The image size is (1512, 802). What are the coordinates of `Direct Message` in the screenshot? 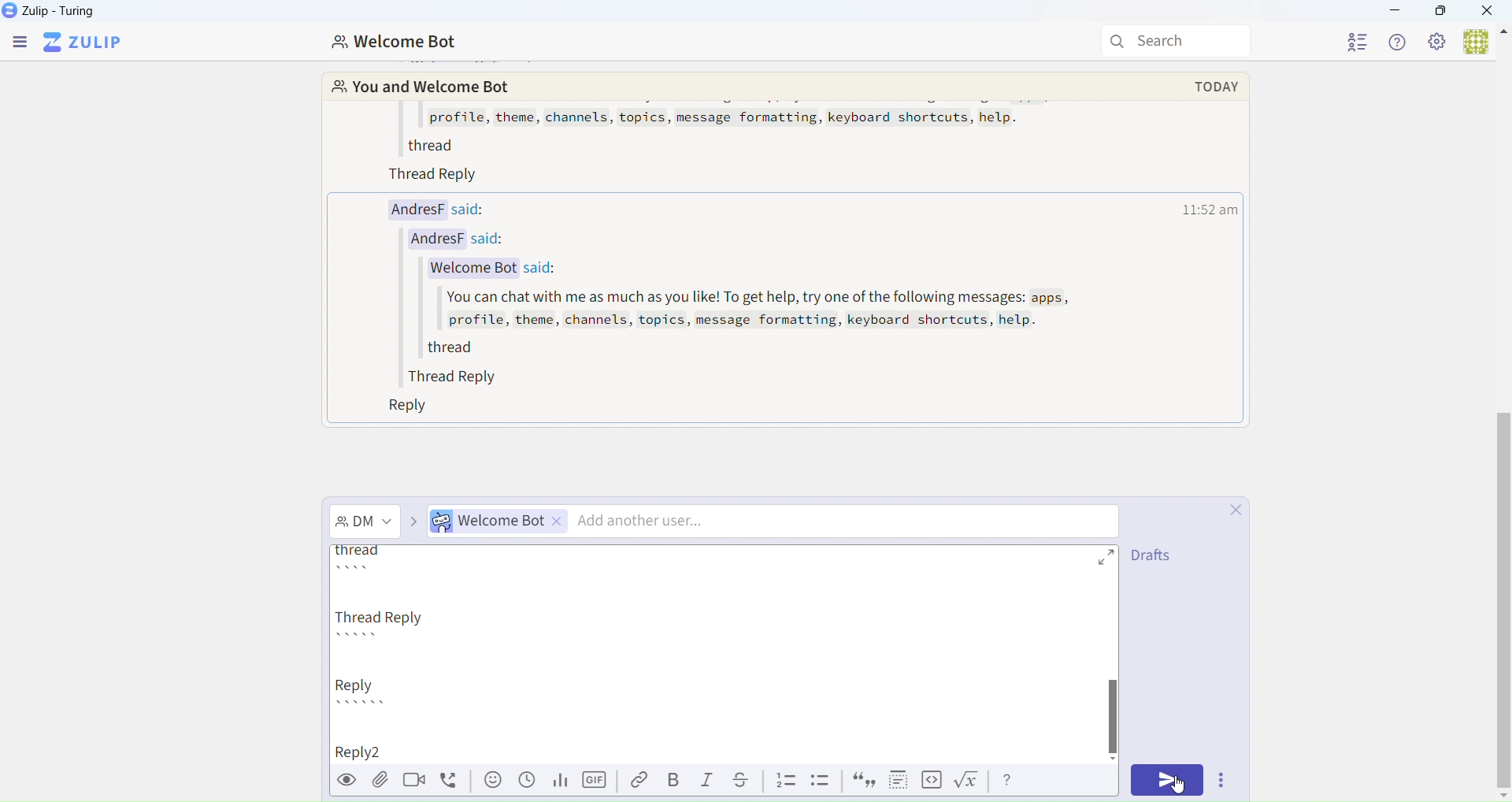 It's located at (765, 521).